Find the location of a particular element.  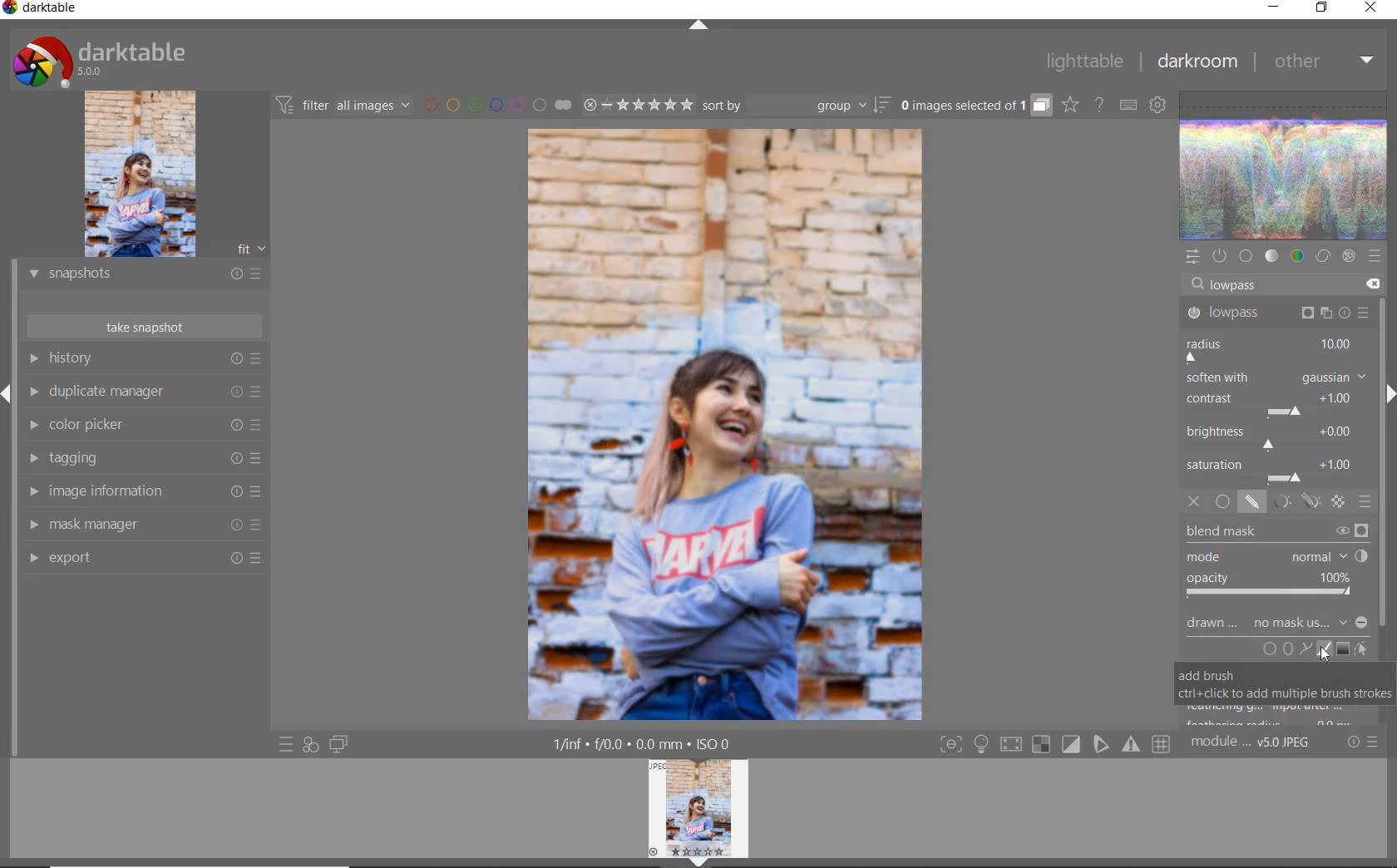

quick access to presets is located at coordinates (288, 743).